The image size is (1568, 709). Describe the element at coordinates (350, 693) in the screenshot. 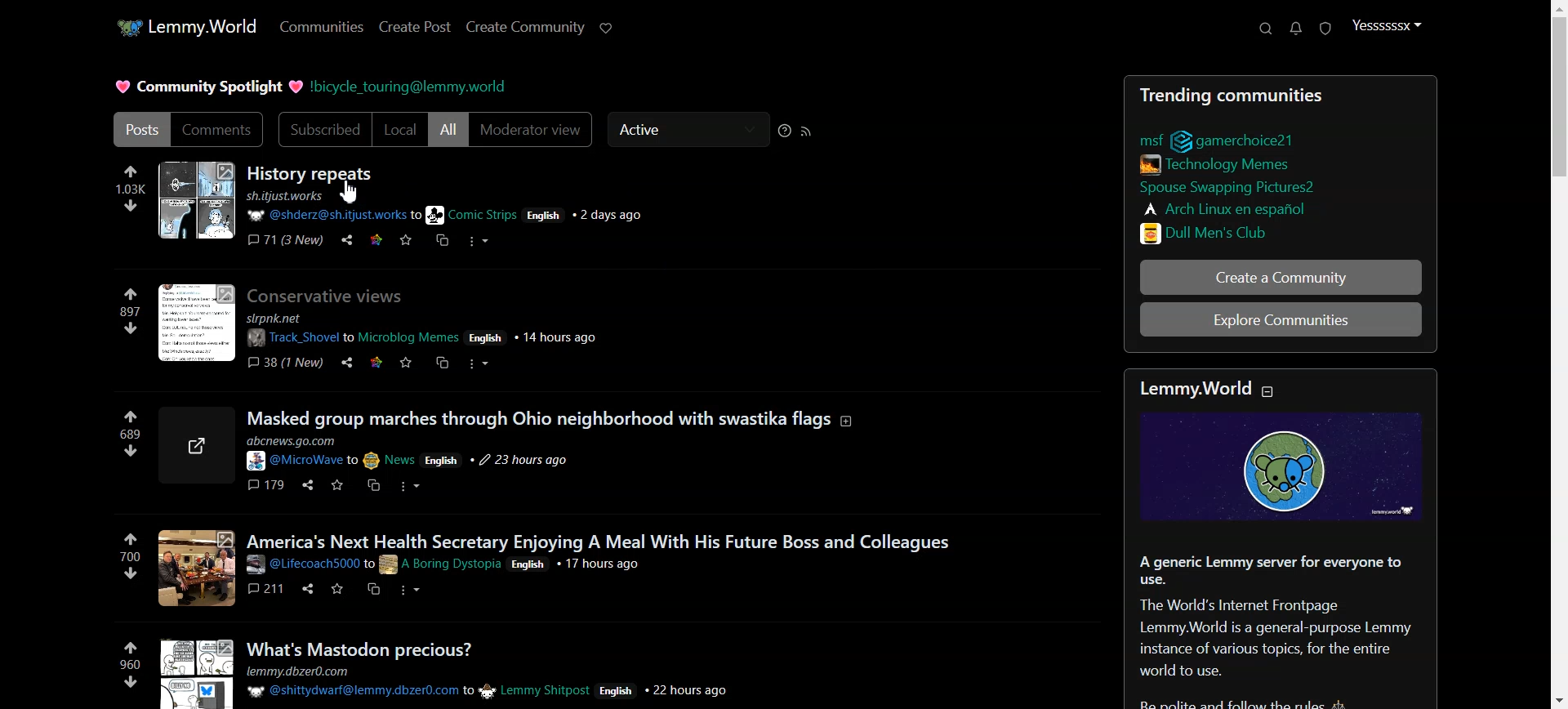

I see `@shittydwarf@lemmy.dbzer0.com` at that location.